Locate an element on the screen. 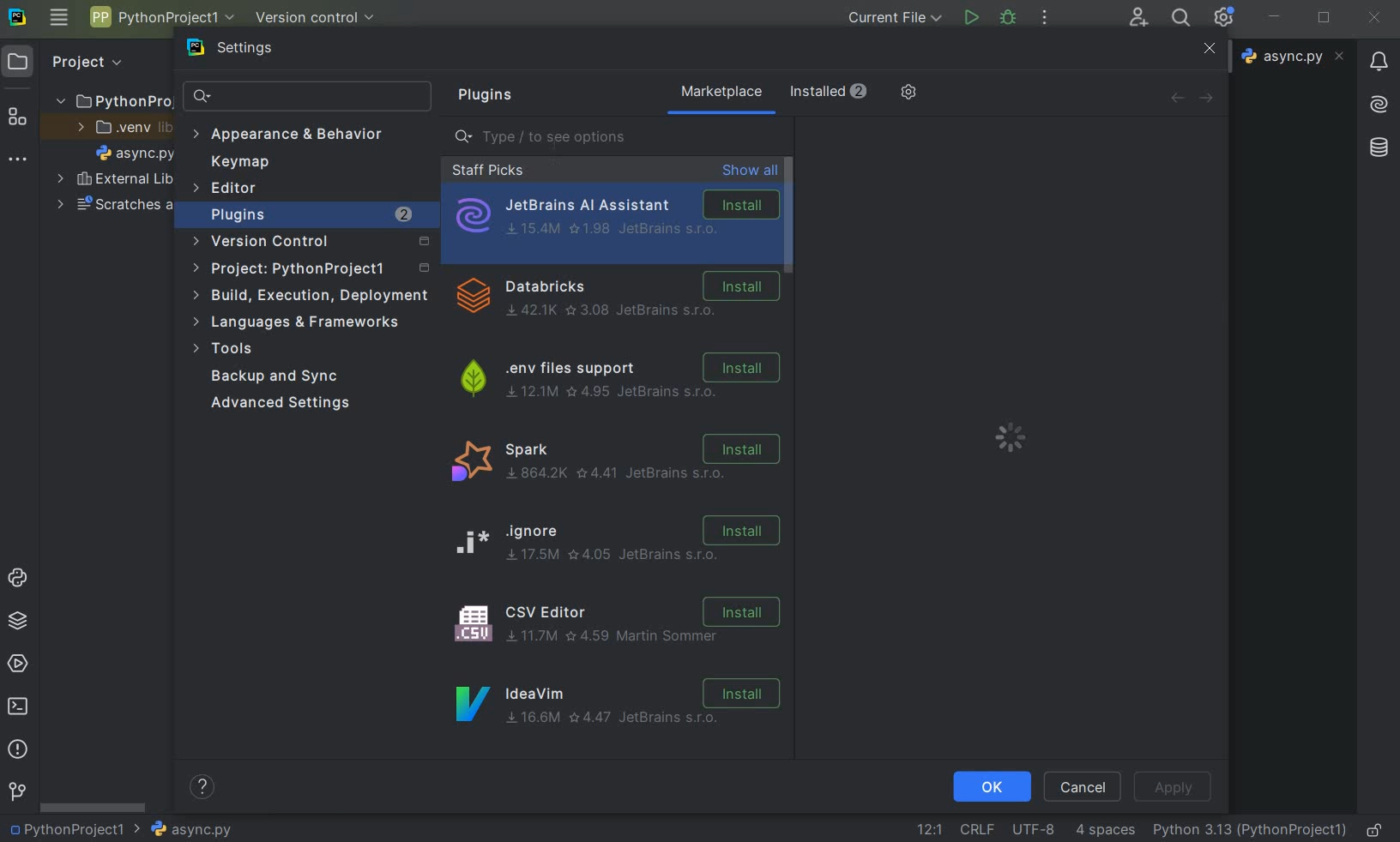 The image size is (1400, 842). file name is located at coordinates (136, 153).